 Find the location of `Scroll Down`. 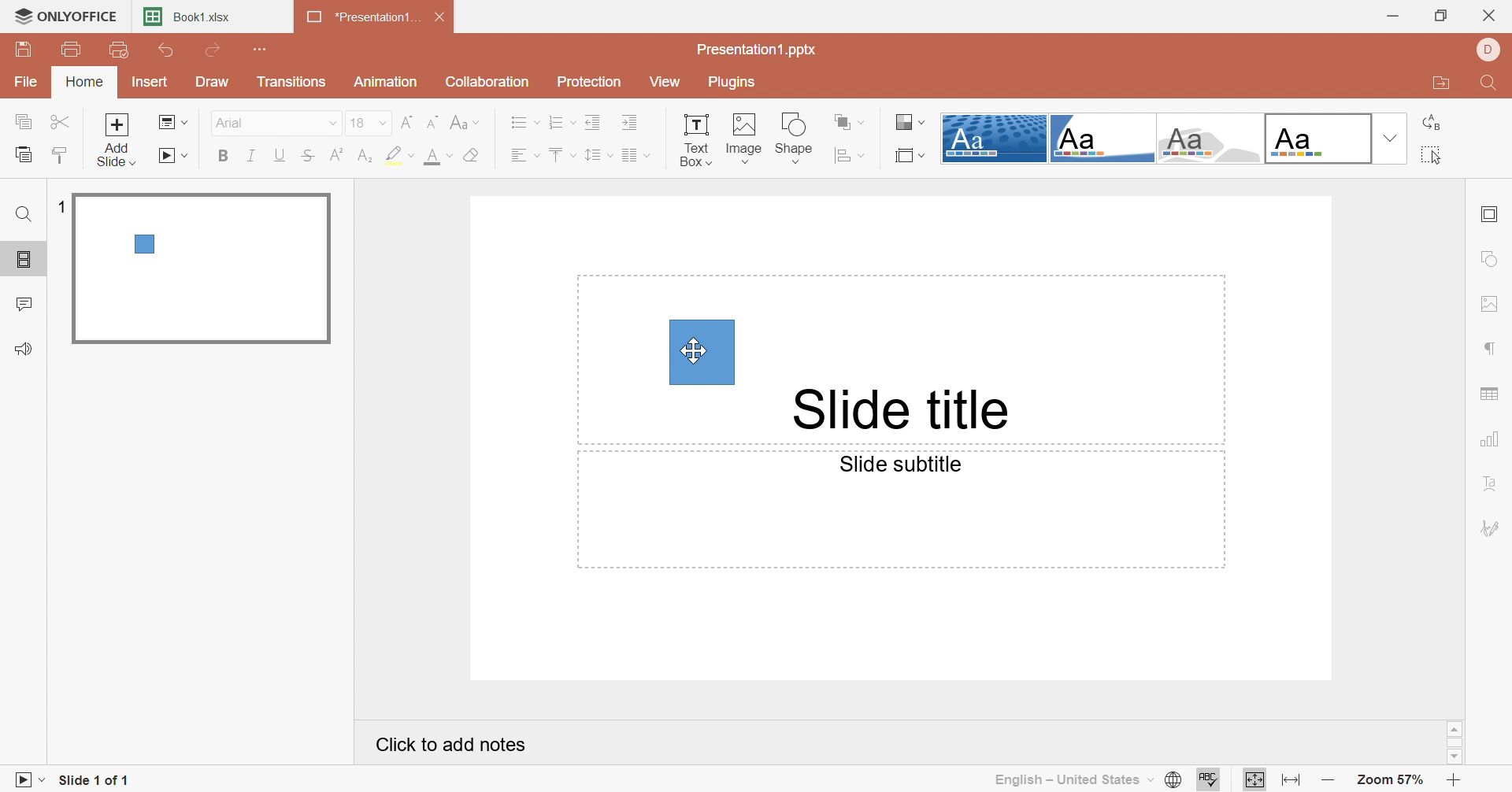

Scroll Down is located at coordinates (1455, 758).